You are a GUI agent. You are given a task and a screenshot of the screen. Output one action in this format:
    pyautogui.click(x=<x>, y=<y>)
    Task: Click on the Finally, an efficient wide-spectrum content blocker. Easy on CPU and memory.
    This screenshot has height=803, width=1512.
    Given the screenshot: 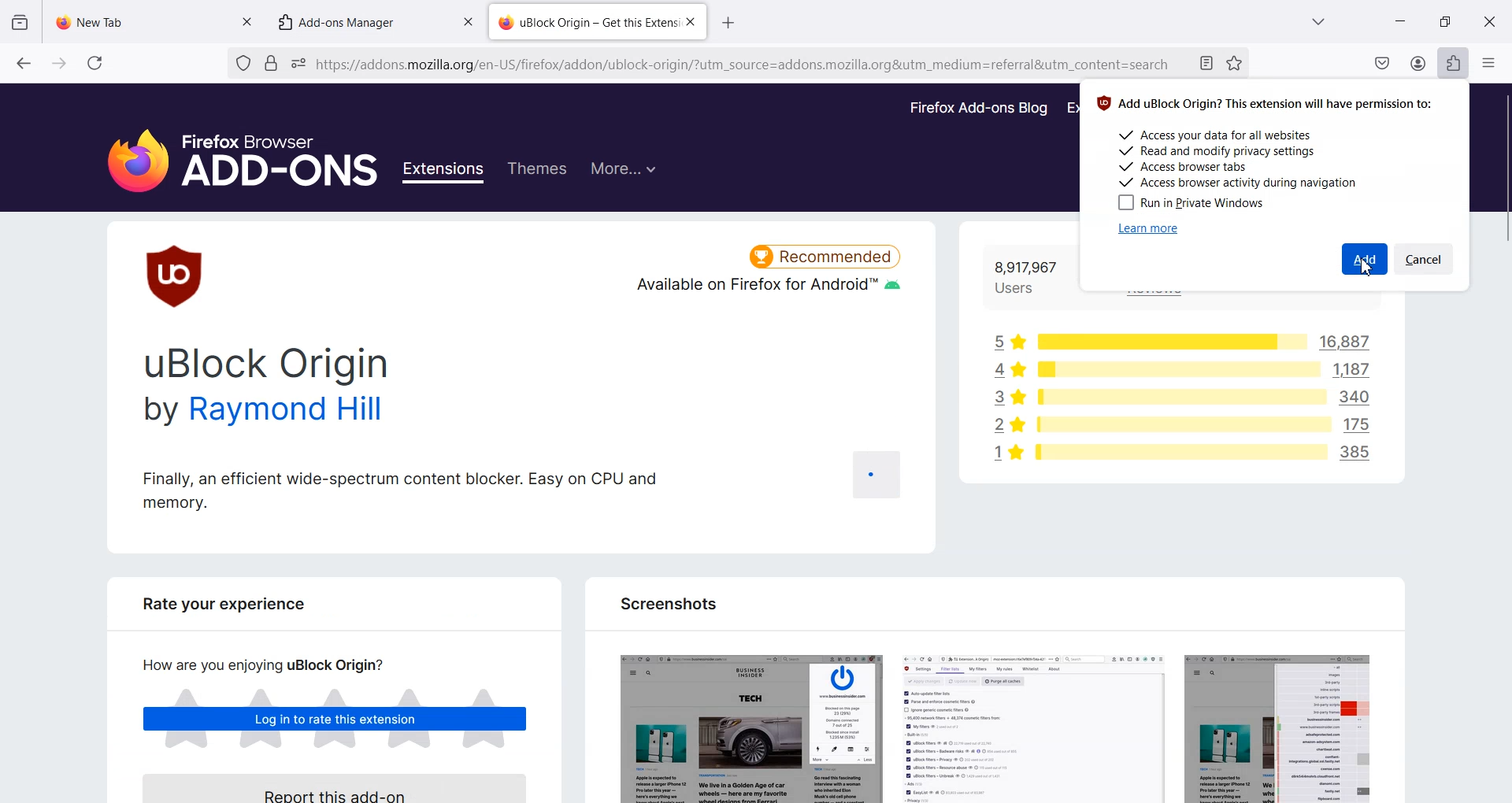 What is the action you would take?
    pyautogui.click(x=400, y=489)
    